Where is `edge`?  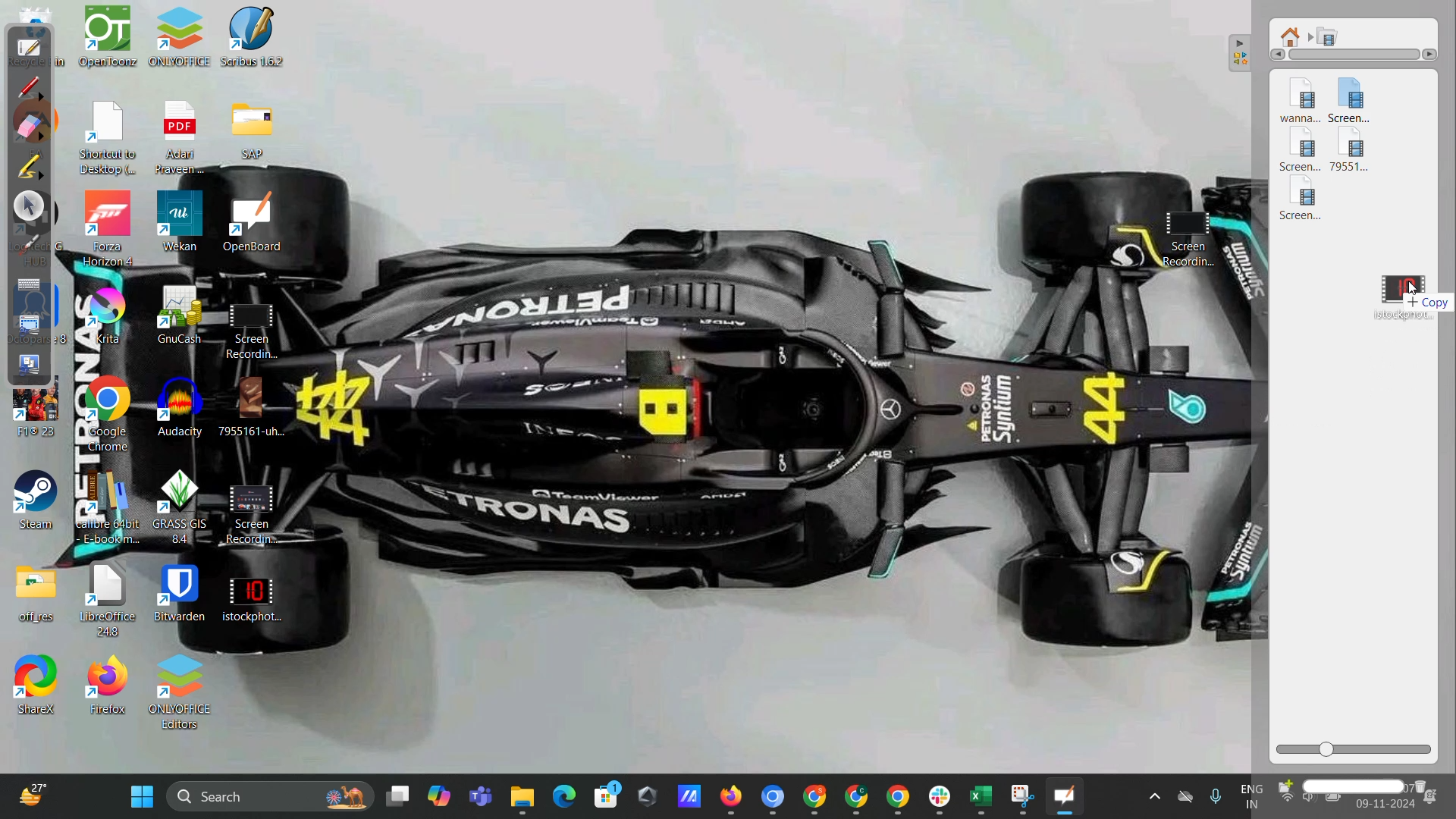
edge is located at coordinates (562, 795).